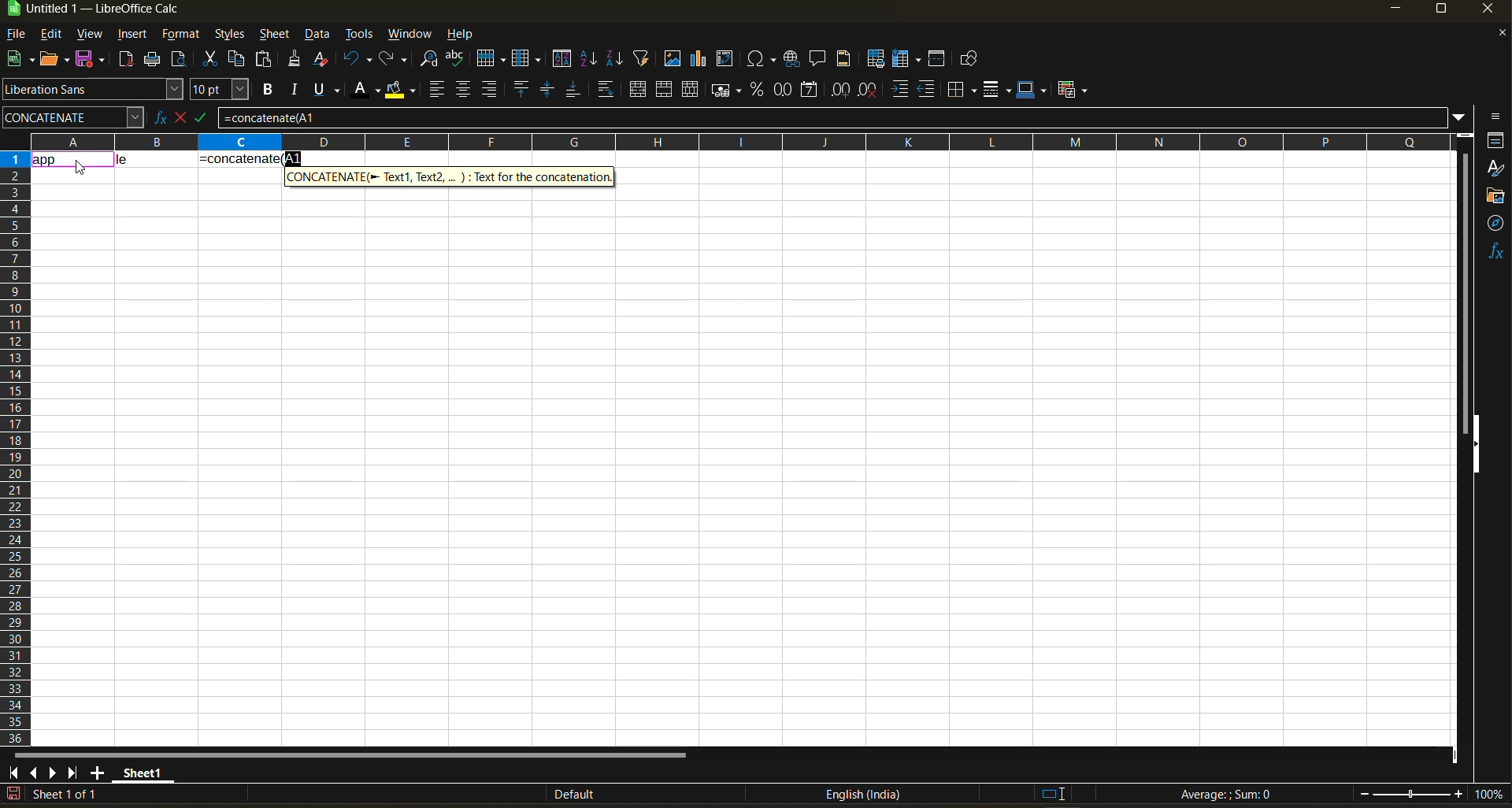 The height and width of the screenshot is (808, 1512). Describe the element at coordinates (699, 58) in the screenshot. I see `insert chart` at that location.